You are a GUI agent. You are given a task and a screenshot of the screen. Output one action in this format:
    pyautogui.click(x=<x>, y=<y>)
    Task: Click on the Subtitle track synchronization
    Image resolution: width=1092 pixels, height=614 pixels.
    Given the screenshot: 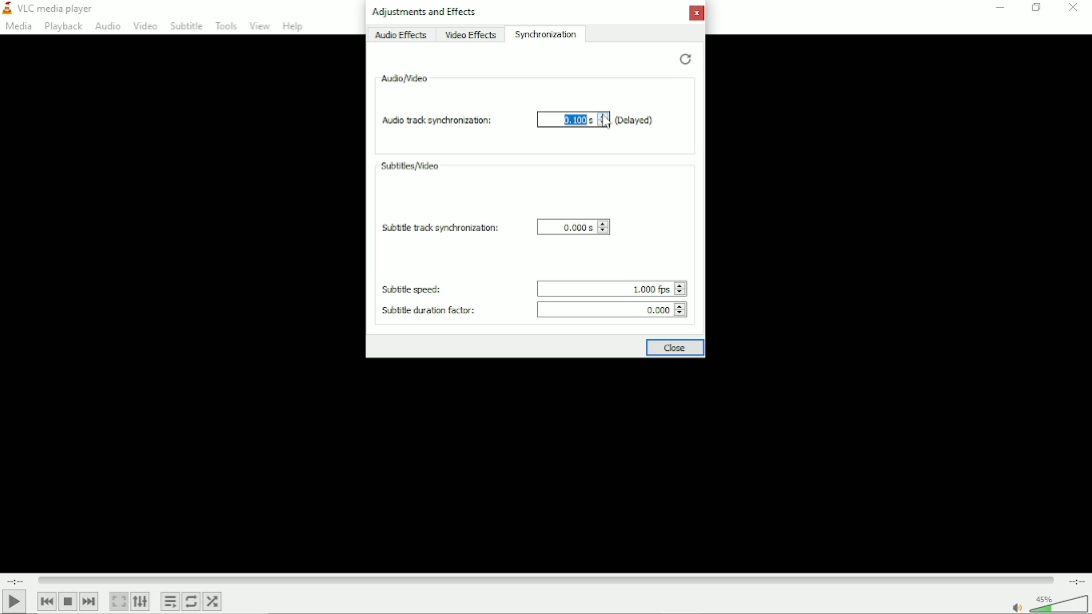 What is the action you would take?
    pyautogui.click(x=438, y=226)
    